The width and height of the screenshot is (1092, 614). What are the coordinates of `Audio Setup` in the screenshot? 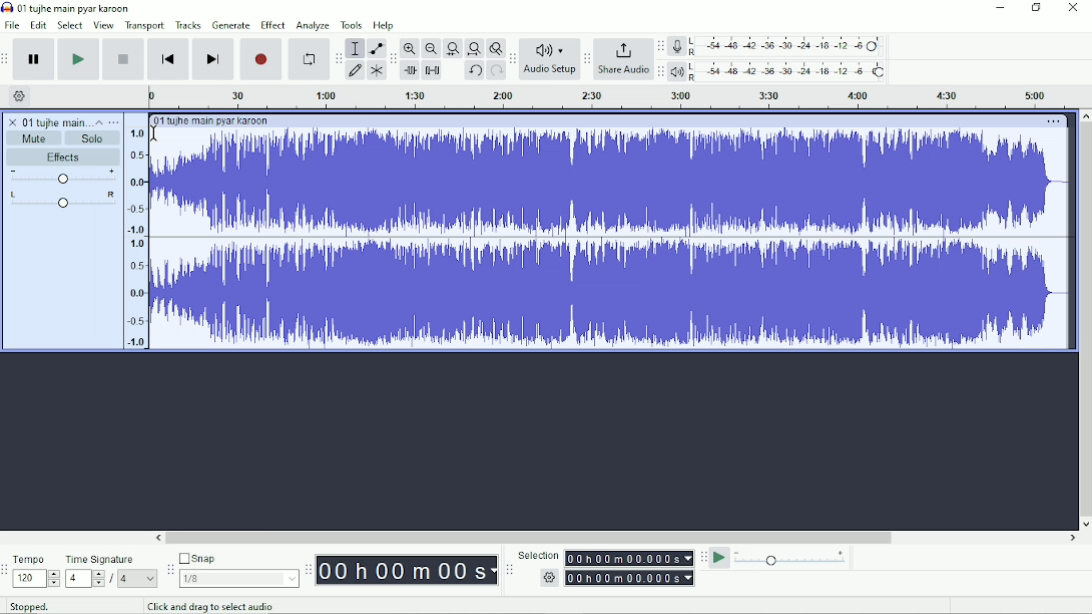 It's located at (549, 59).